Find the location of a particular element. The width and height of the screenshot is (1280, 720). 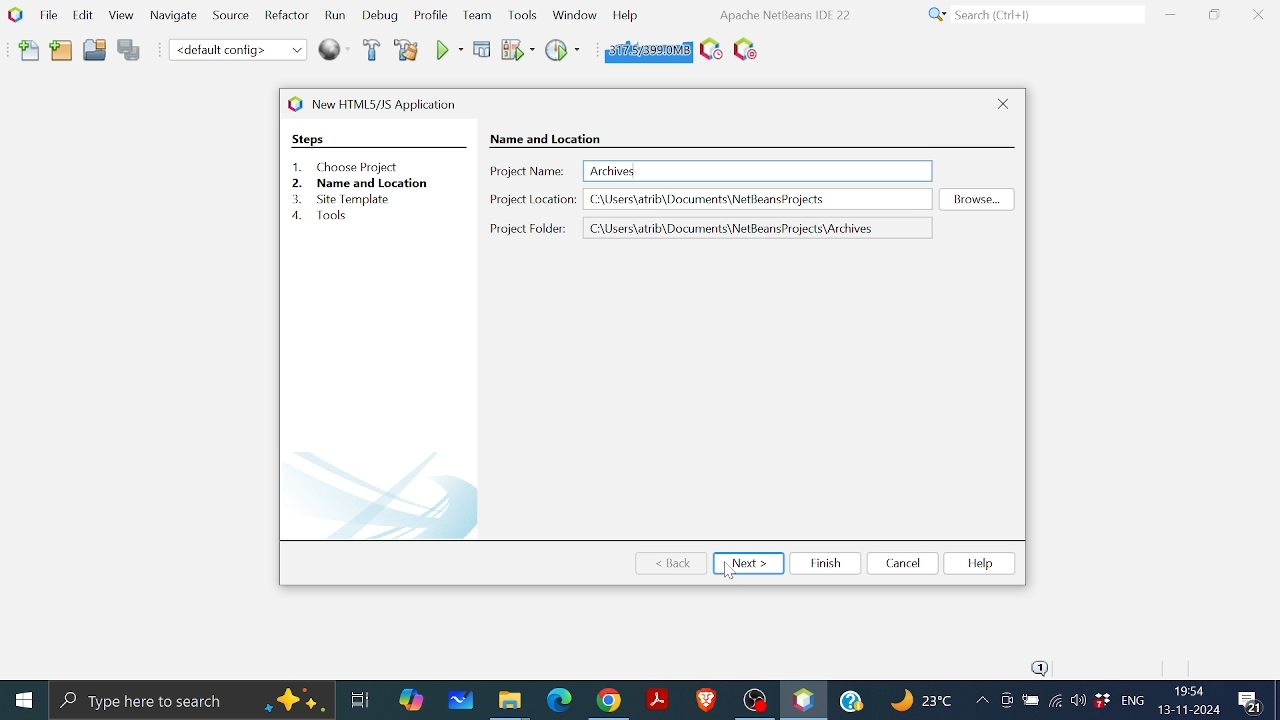

Navigate is located at coordinates (174, 19).